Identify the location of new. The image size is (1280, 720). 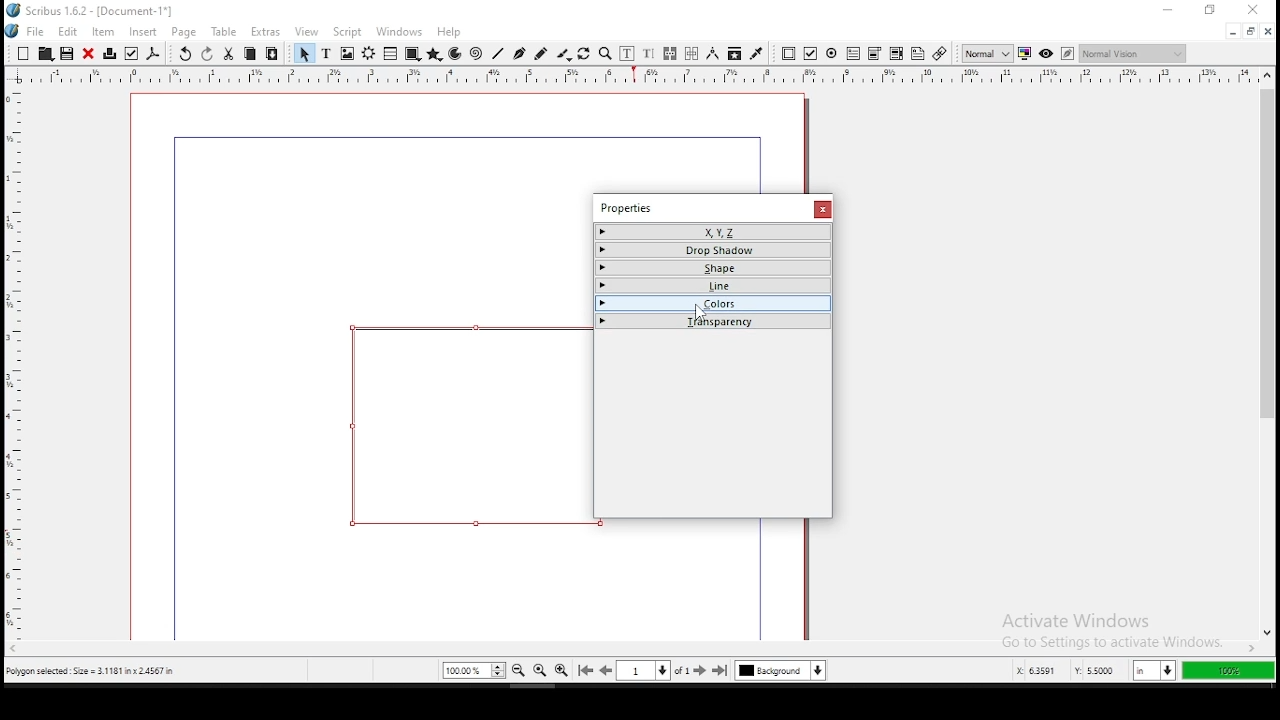
(23, 52).